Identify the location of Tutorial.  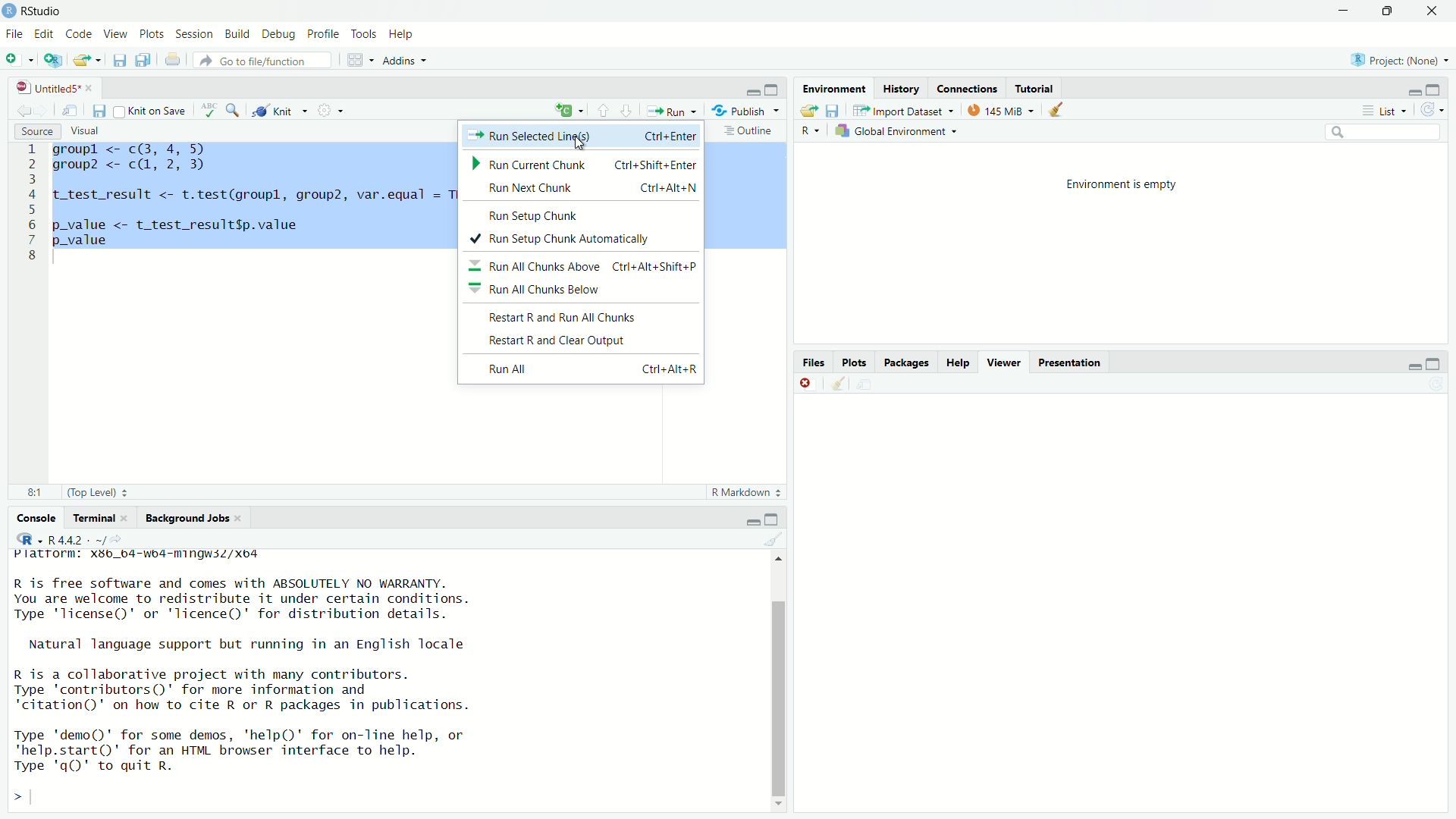
(1038, 89).